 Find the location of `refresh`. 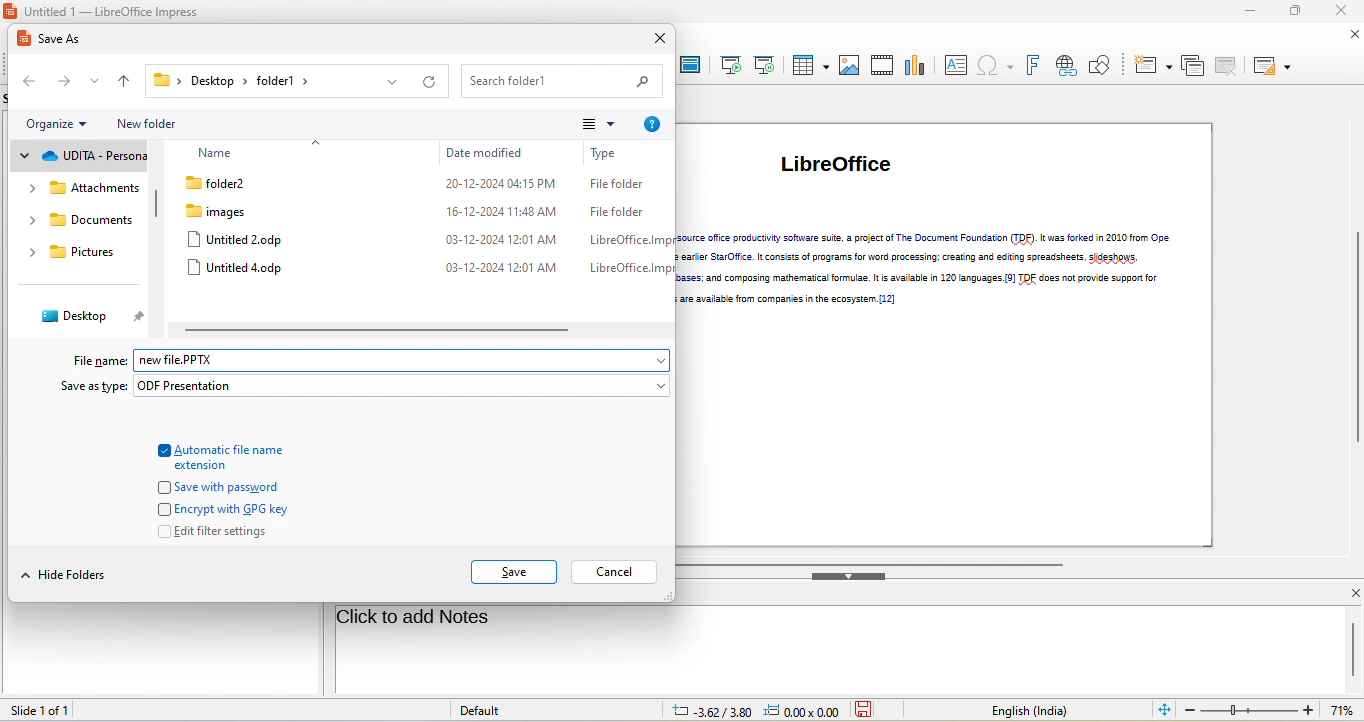

refresh is located at coordinates (428, 83).